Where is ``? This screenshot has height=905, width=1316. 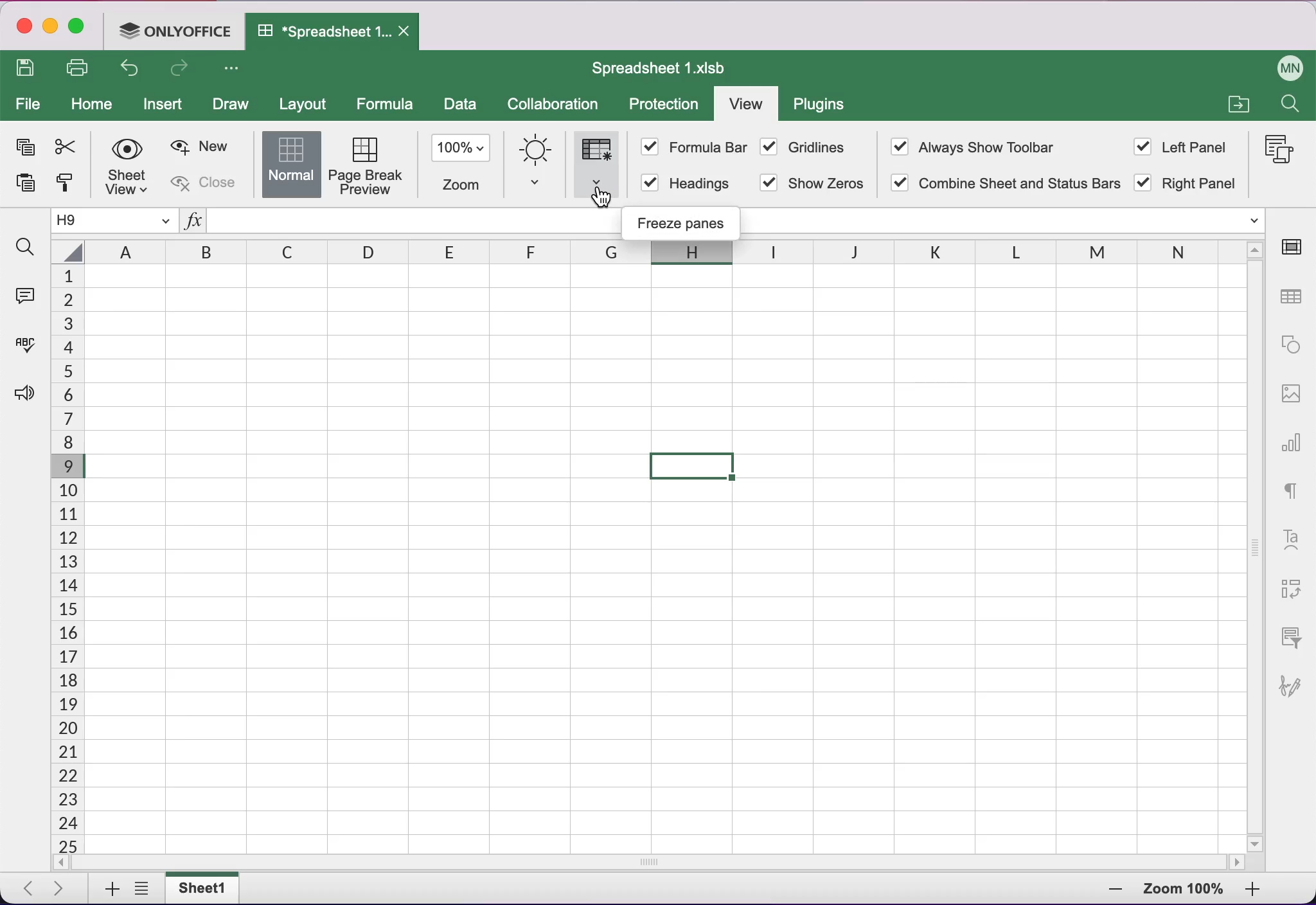
 is located at coordinates (1288, 296).